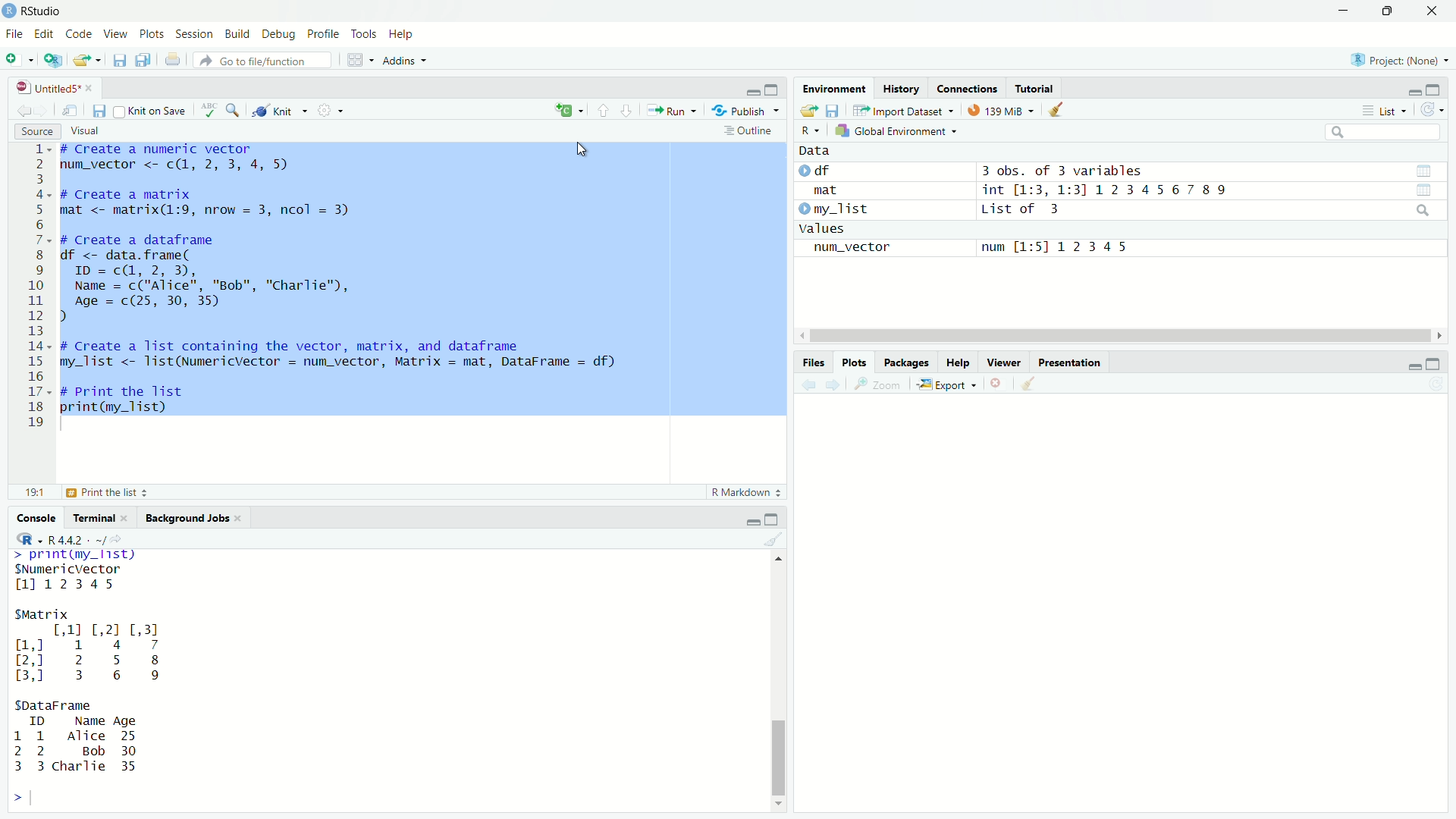 The height and width of the screenshot is (819, 1456). What do you see at coordinates (53, 88) in the screenshot?
I see `) | Untitled5*` at bounding box center [53, 88].